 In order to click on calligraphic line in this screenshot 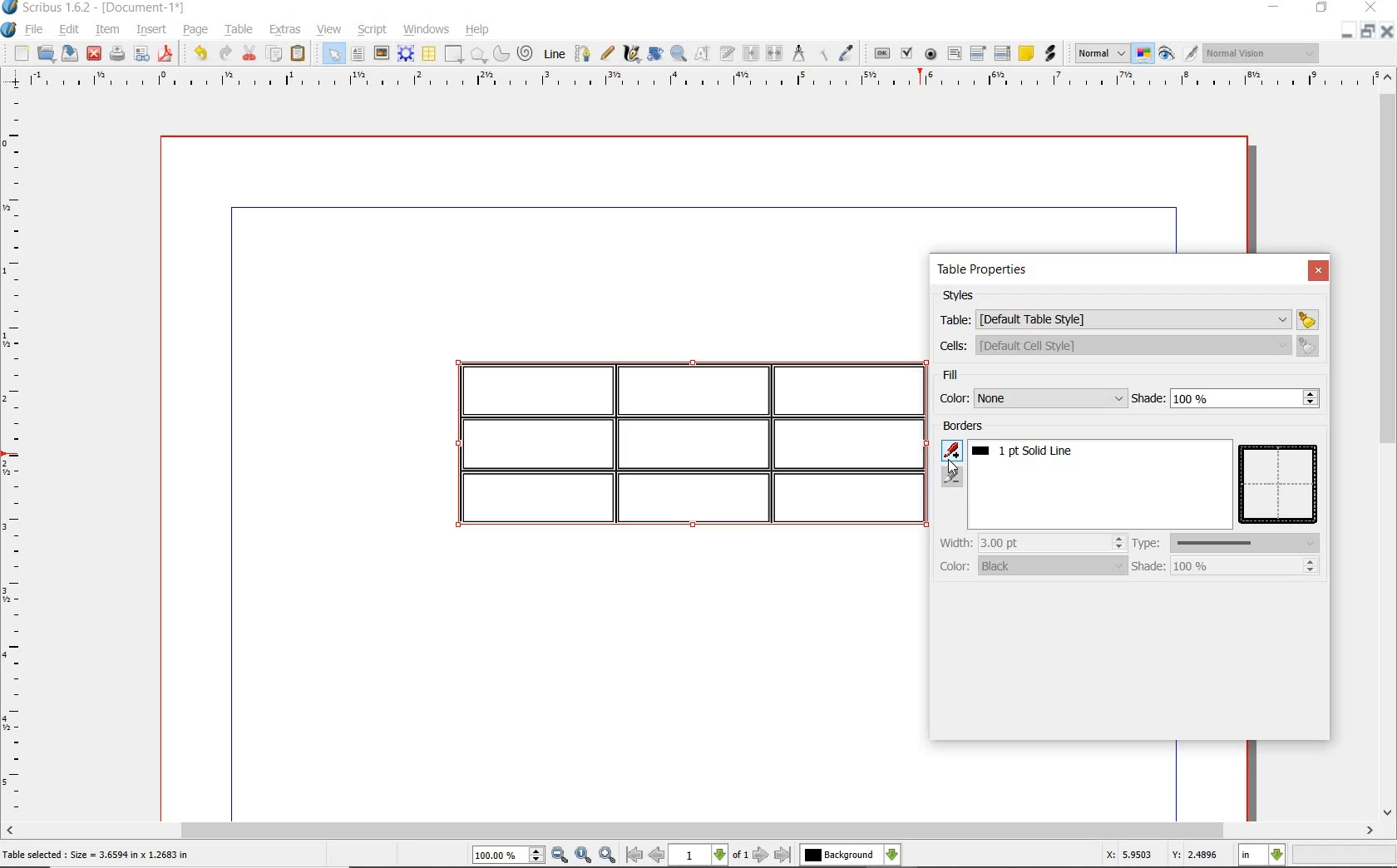, I will do `click(630, 53)`.